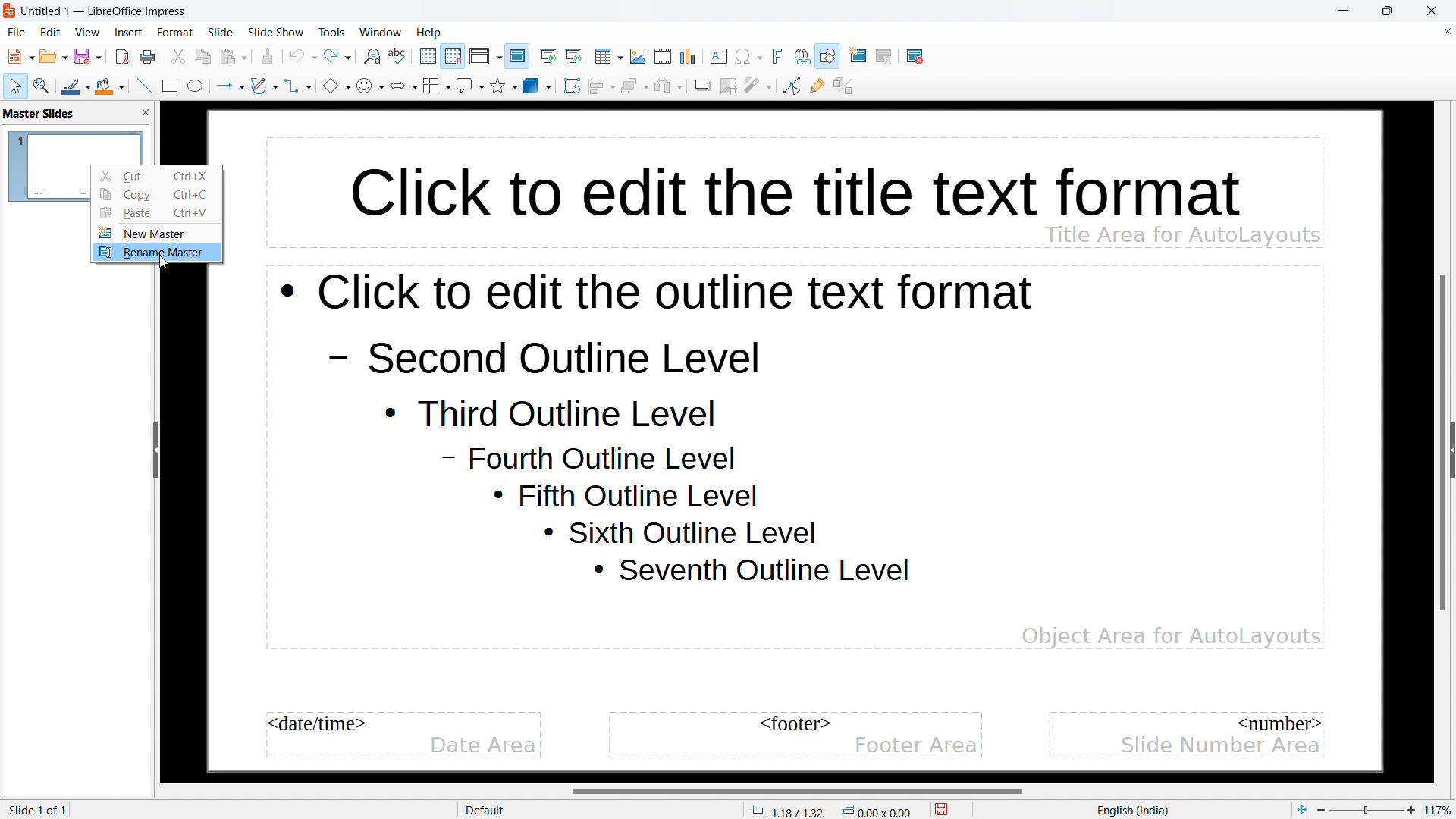 This screenshot has height=819, width=1456. What do you see at coordinates (861, 56) in the screenshot?
I see `new slide` at bounding box center [861, 56].